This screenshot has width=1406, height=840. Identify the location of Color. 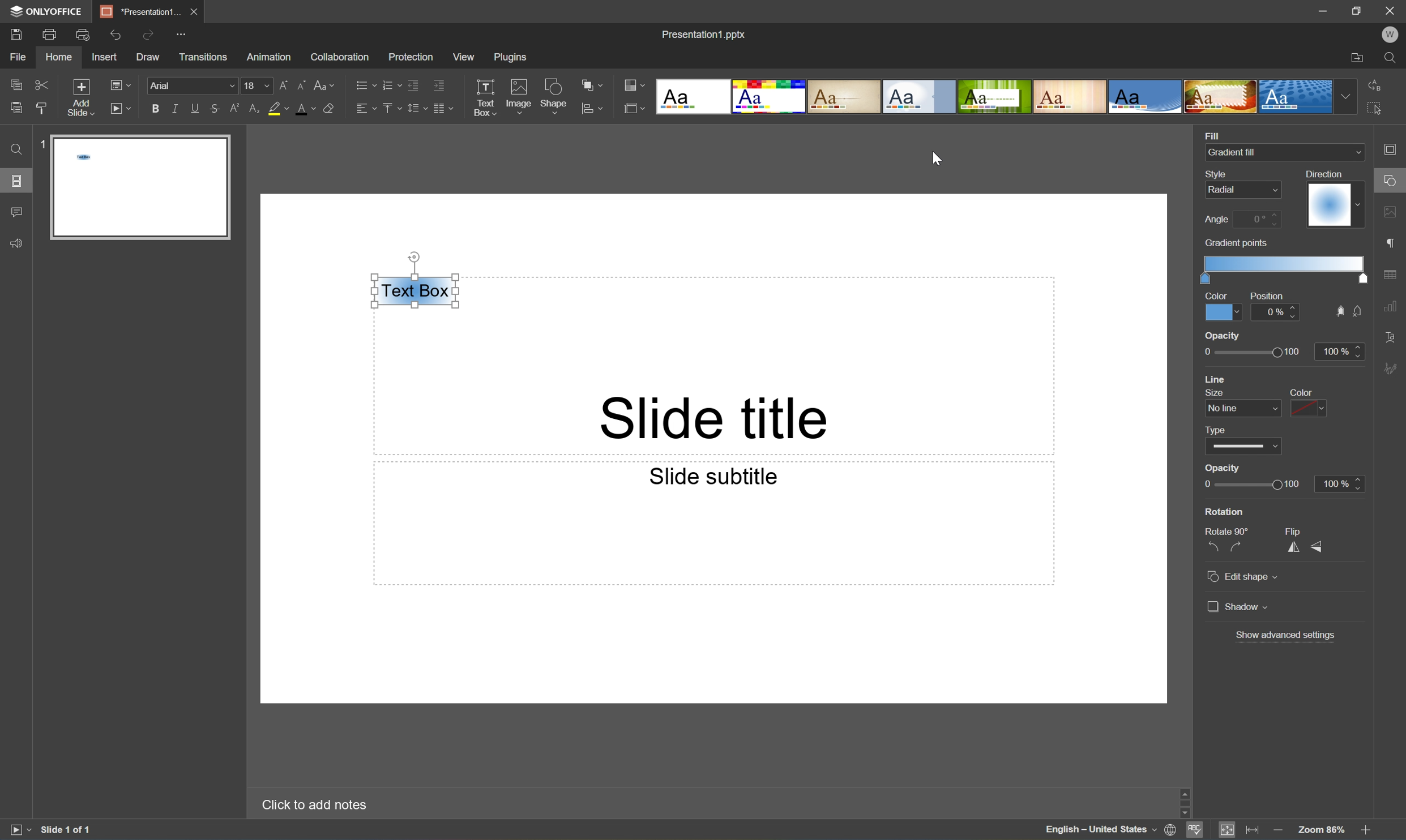
(1216, 294).